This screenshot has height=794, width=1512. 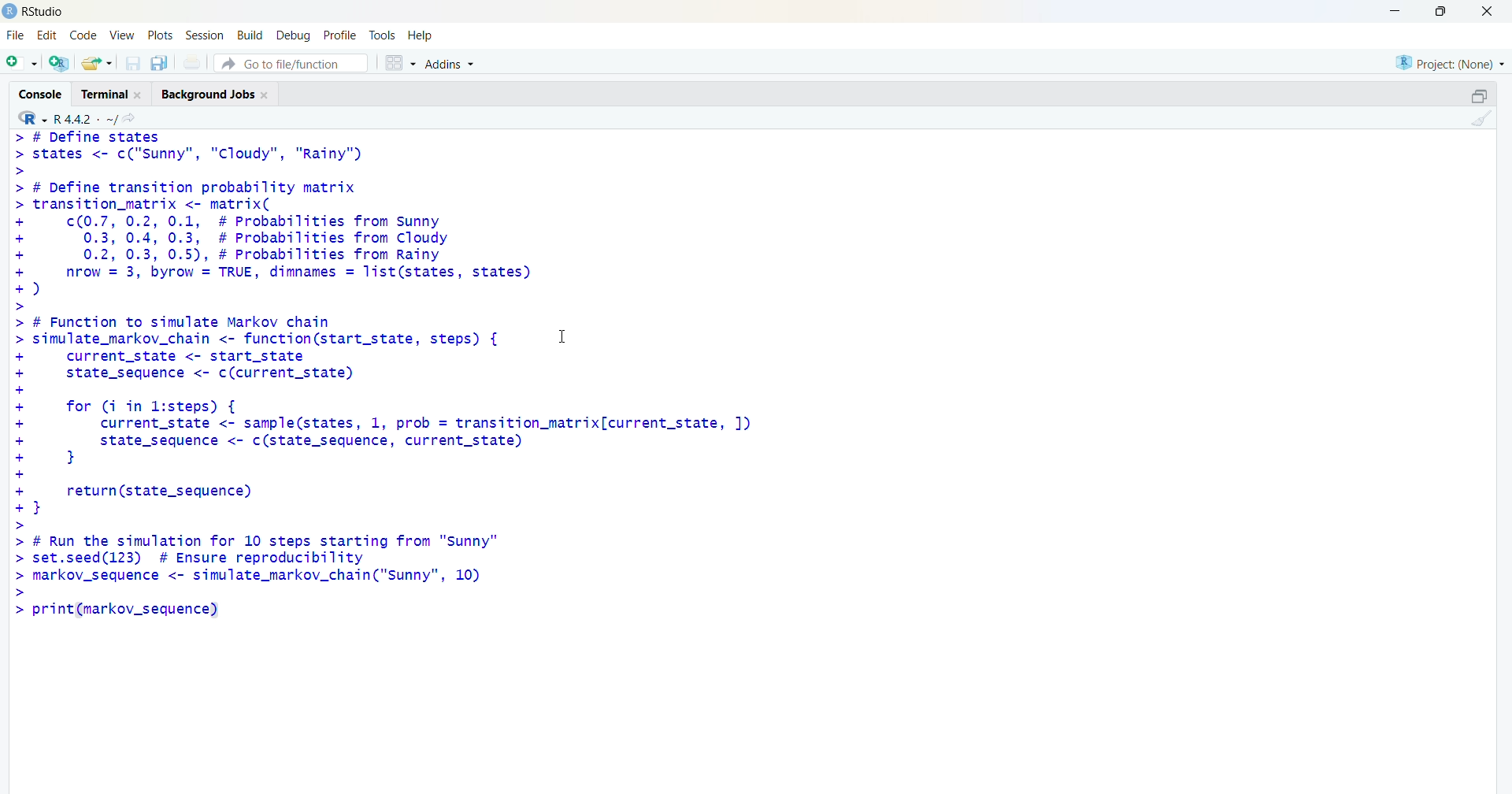 I want to click on close, so click(x=1487, y=12).